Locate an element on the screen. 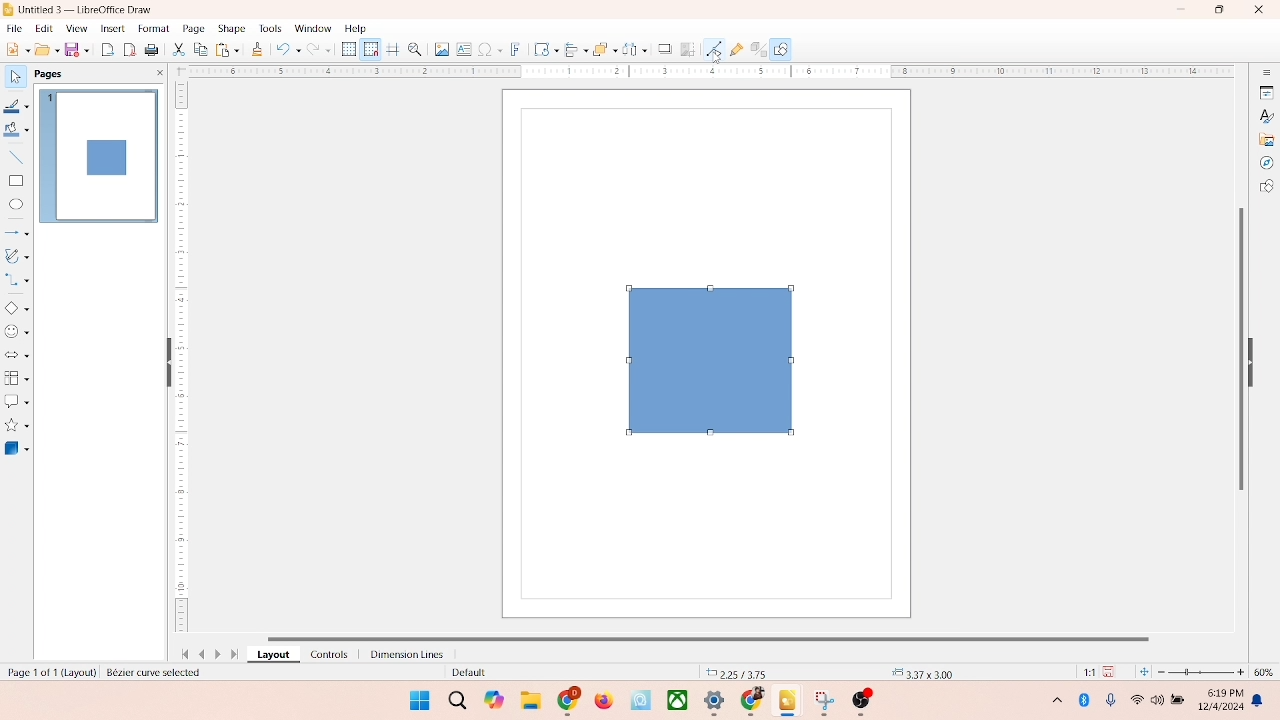 The image size is (1280, 720). previous page is located at coordinates (202, 654).